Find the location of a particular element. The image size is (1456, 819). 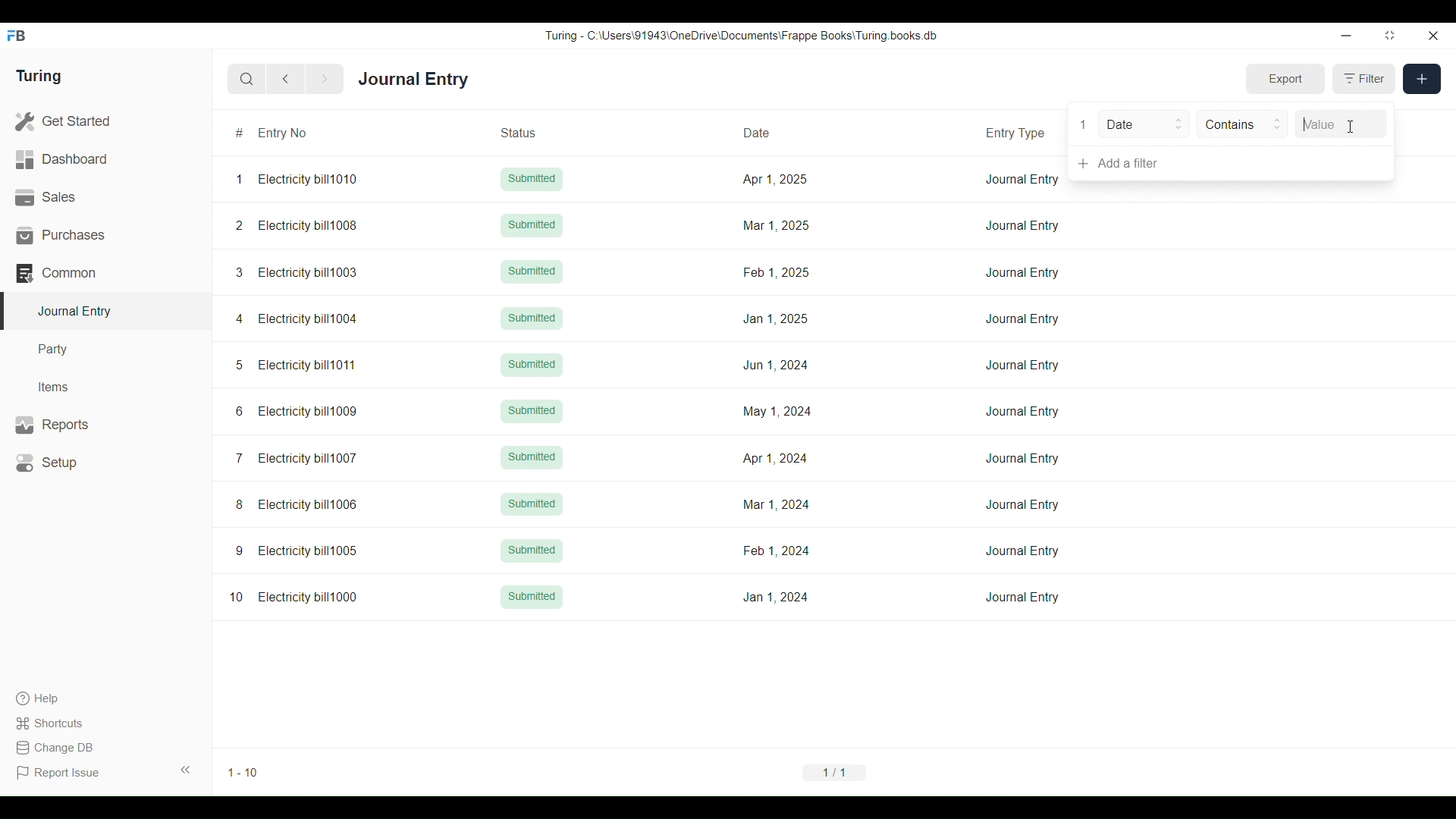

Reports is located at coordinates (107, 425).